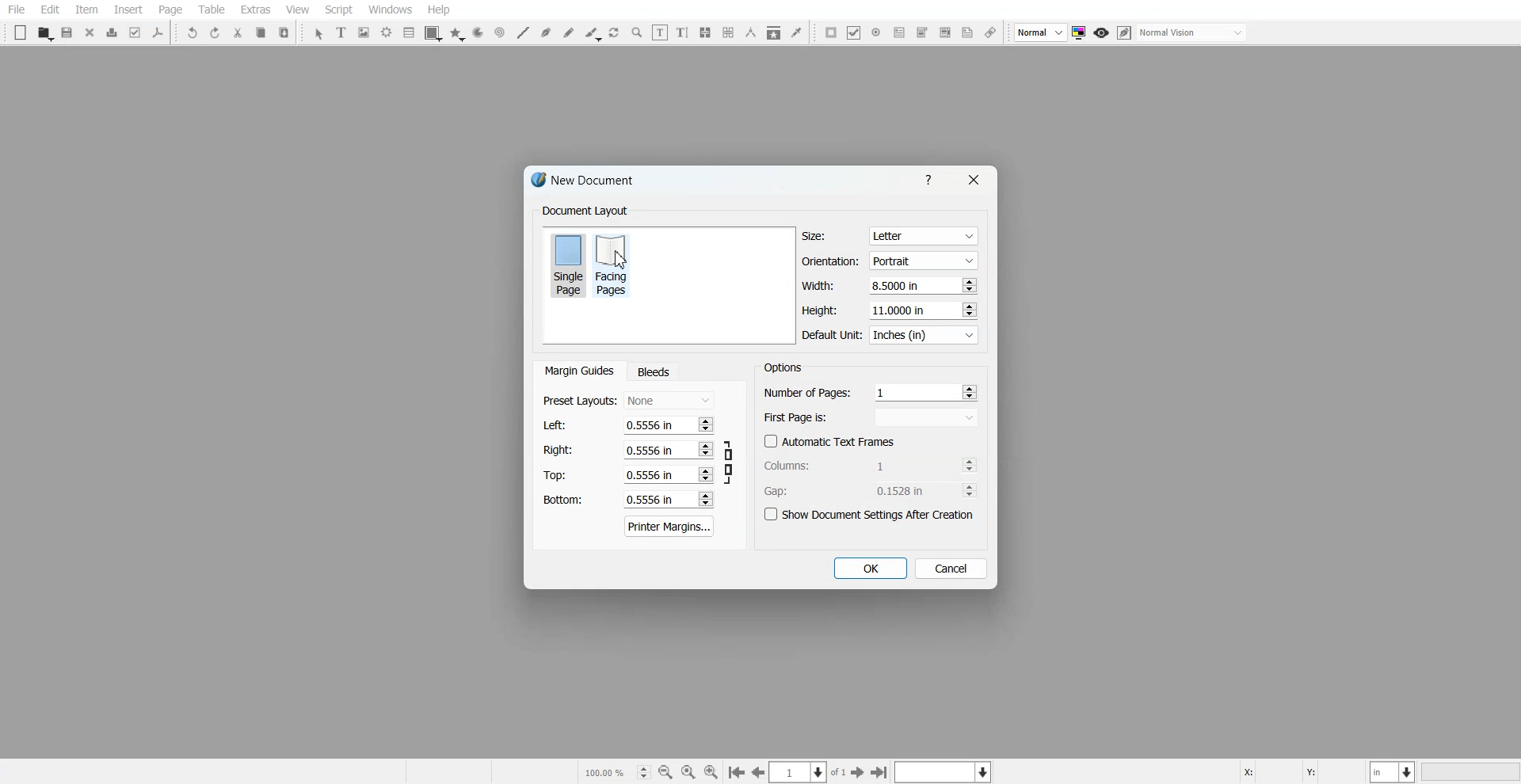 The image size is (1521, 784). I want to click on Paste, so click(284, 32).